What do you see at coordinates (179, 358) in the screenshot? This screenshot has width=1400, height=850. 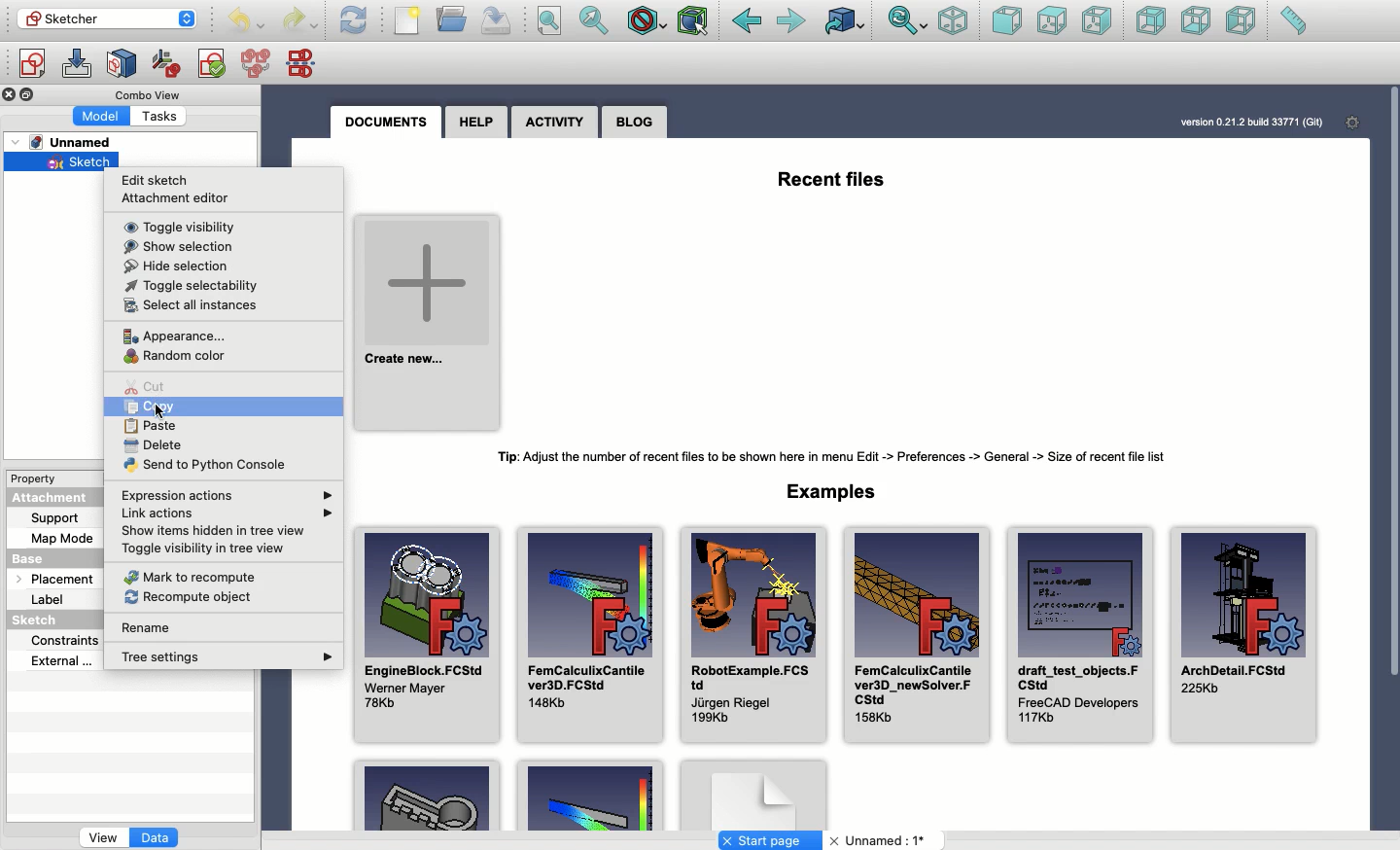 I see `Random color` at bounding box center [179, 358].